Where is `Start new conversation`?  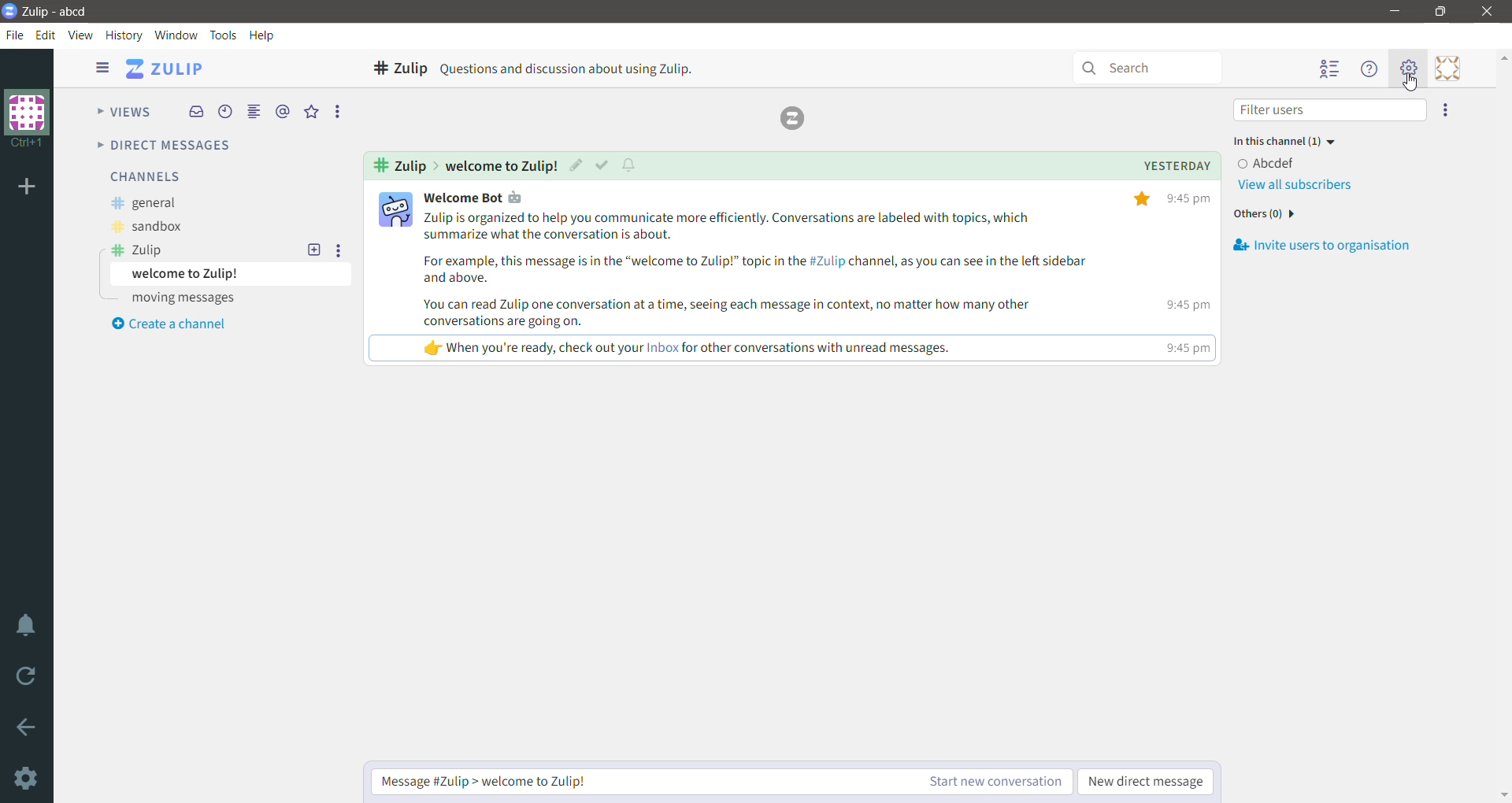
Start new conversation is located at coordinates (994, 782).